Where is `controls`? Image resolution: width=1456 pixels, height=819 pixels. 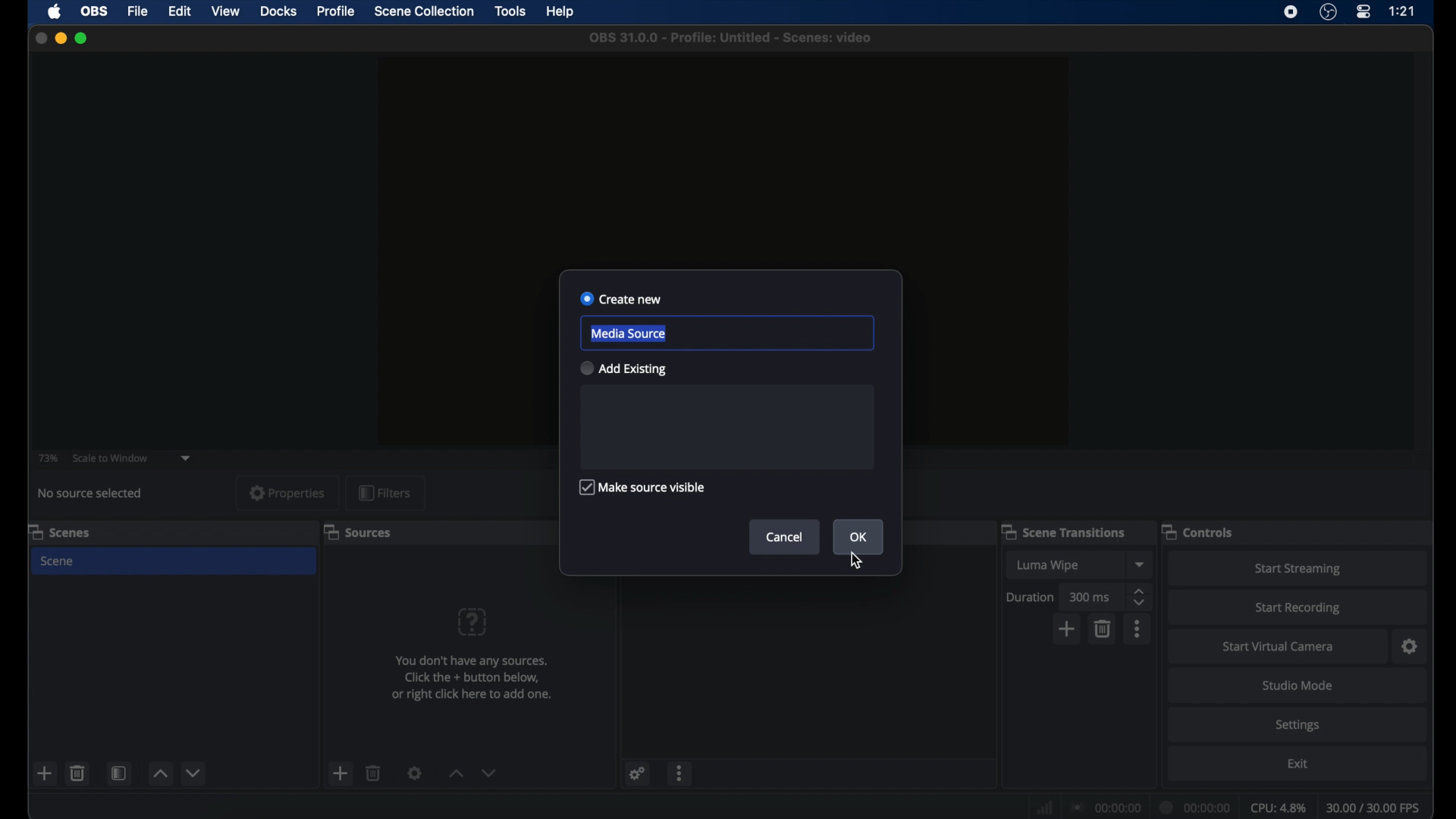
controls is located at coordinates (1200, 532).